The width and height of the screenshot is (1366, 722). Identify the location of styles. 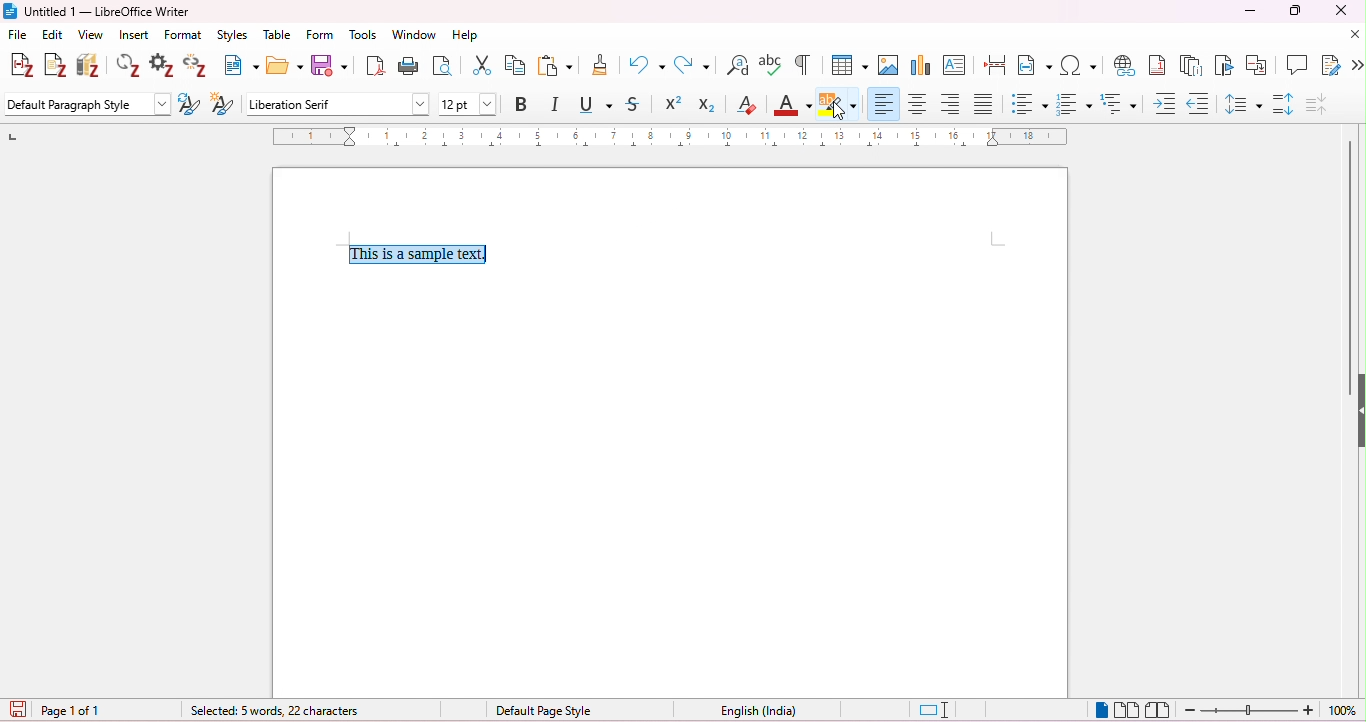
(232, 36).